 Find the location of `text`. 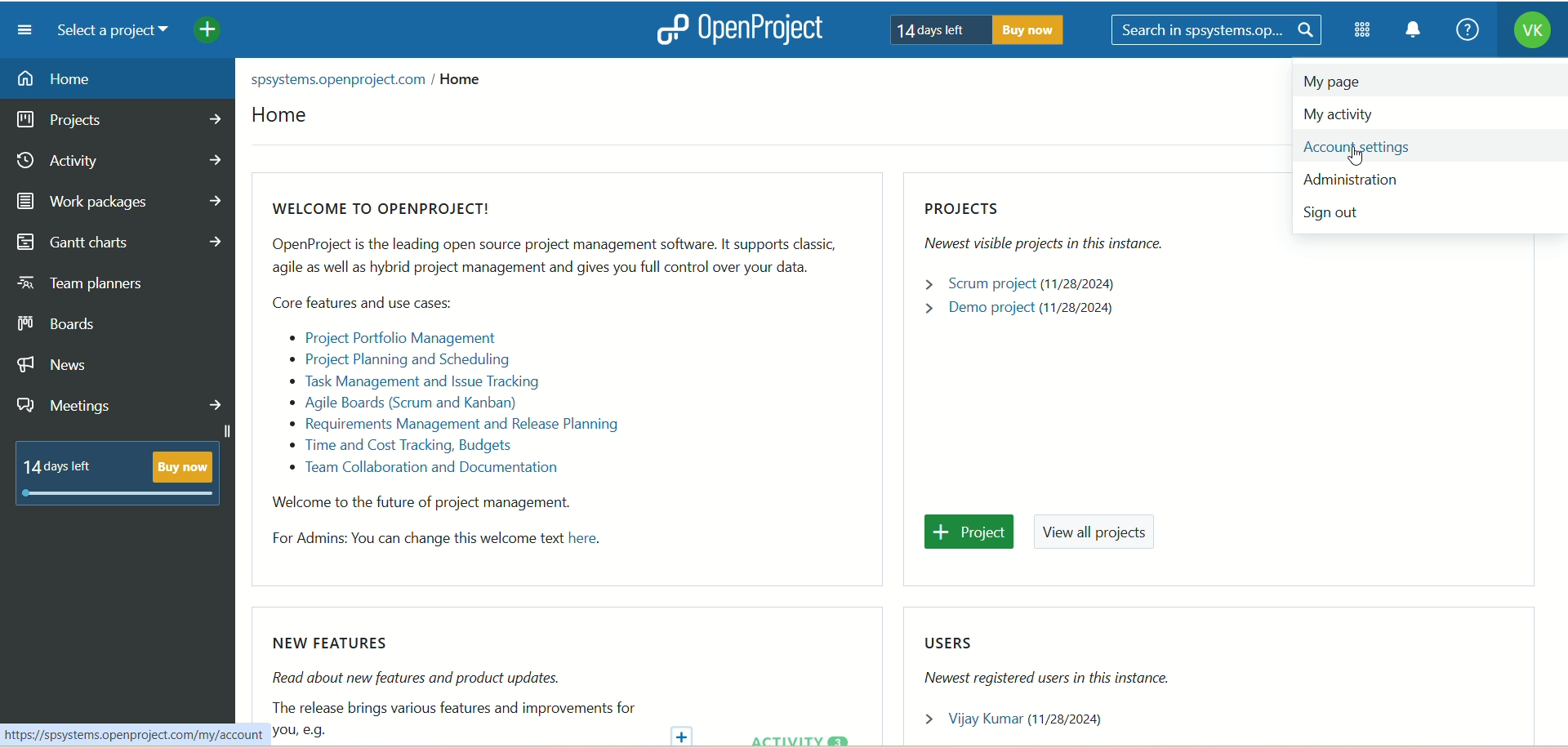

text is located at coordinates (371, 77).